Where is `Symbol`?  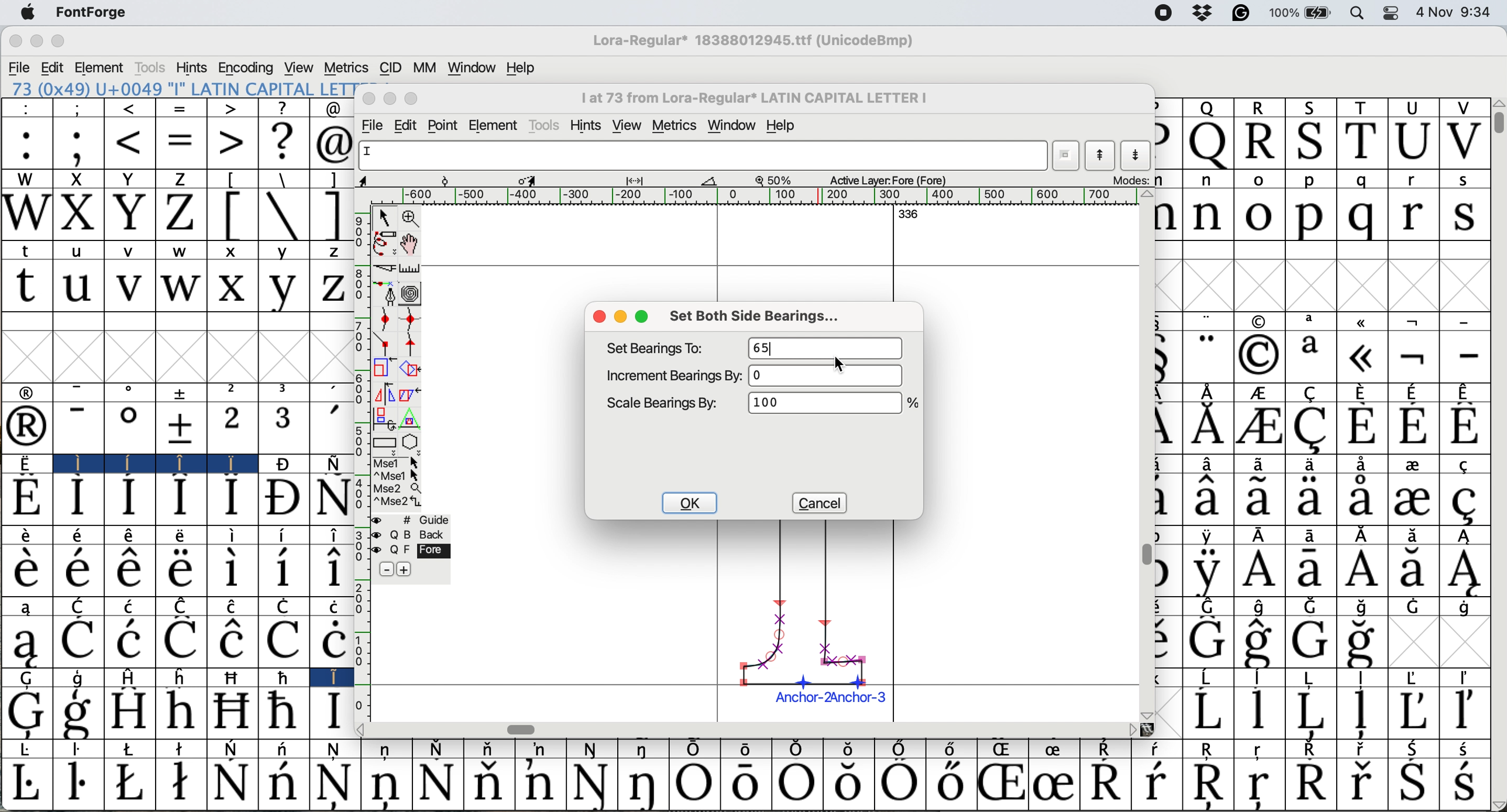 Symbol is located at coordinates (1360, 499).